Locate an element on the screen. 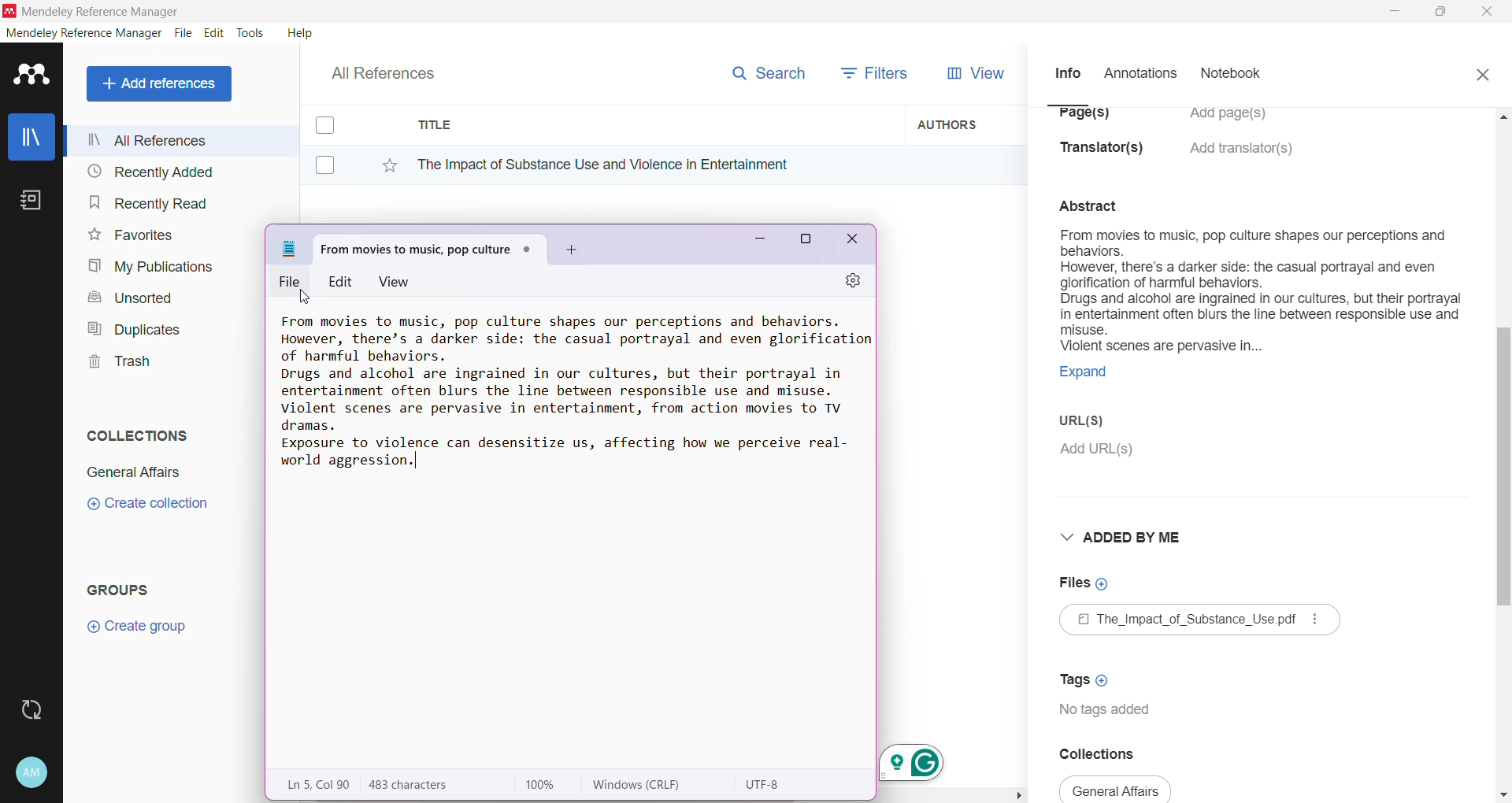  Settings is located at coordinates (847, 282).